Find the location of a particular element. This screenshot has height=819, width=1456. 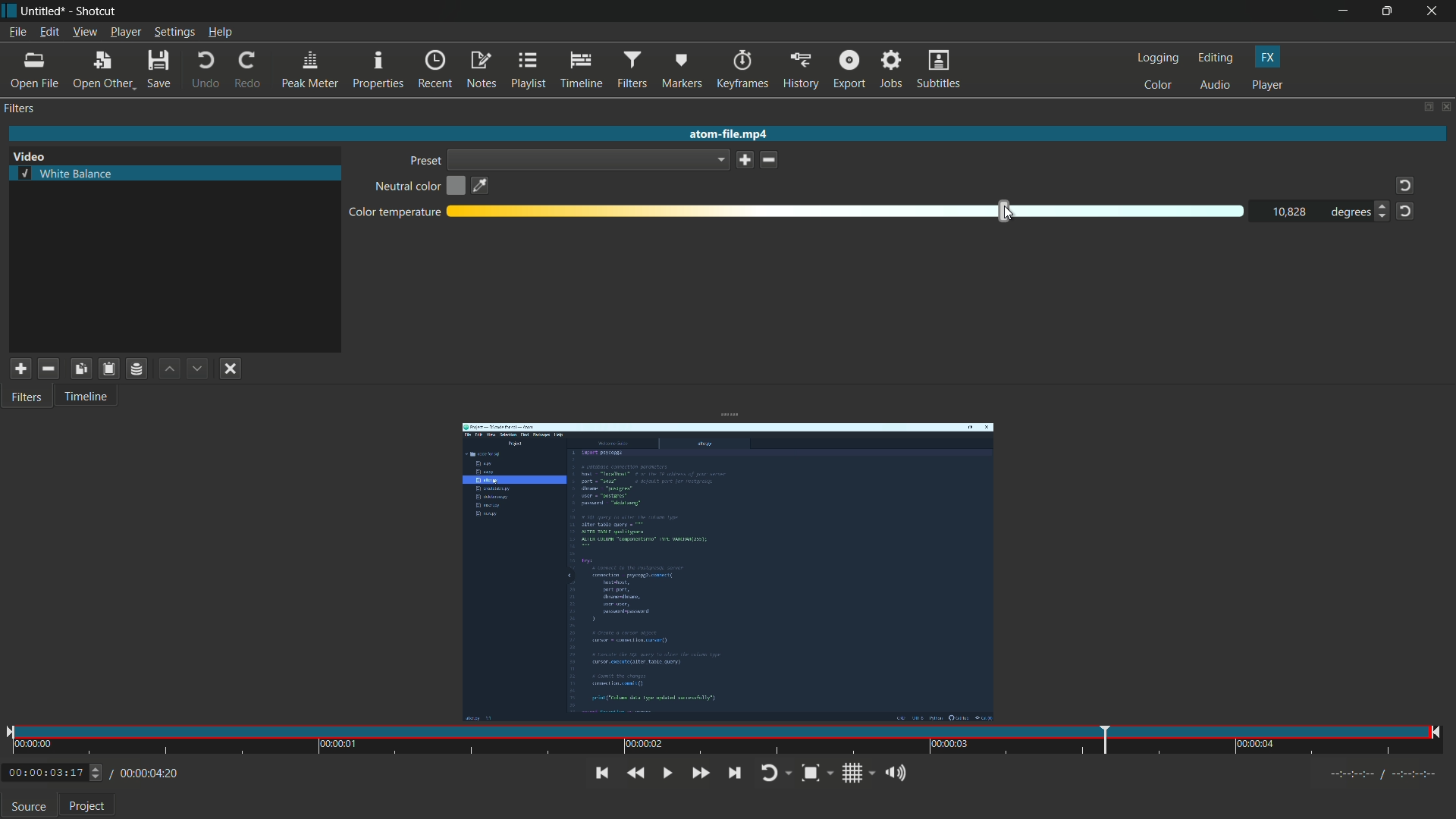

color is located at coordinates (1158, 86).